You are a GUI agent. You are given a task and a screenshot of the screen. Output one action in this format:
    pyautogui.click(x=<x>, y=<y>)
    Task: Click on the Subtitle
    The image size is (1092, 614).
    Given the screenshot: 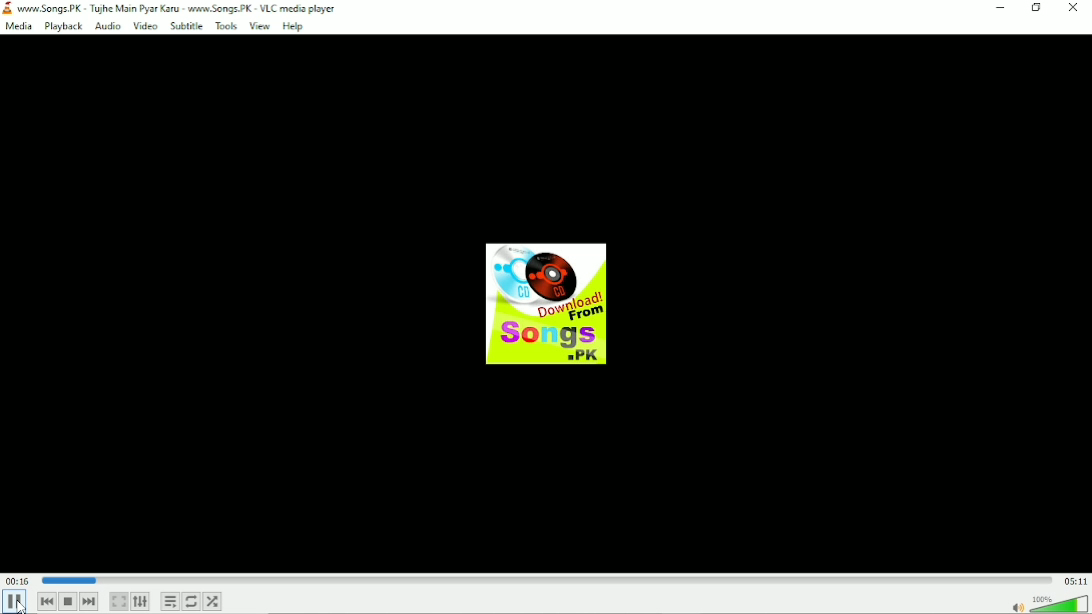 What is the action you would take?
    pyautogui.click(x=186, y=27)
    